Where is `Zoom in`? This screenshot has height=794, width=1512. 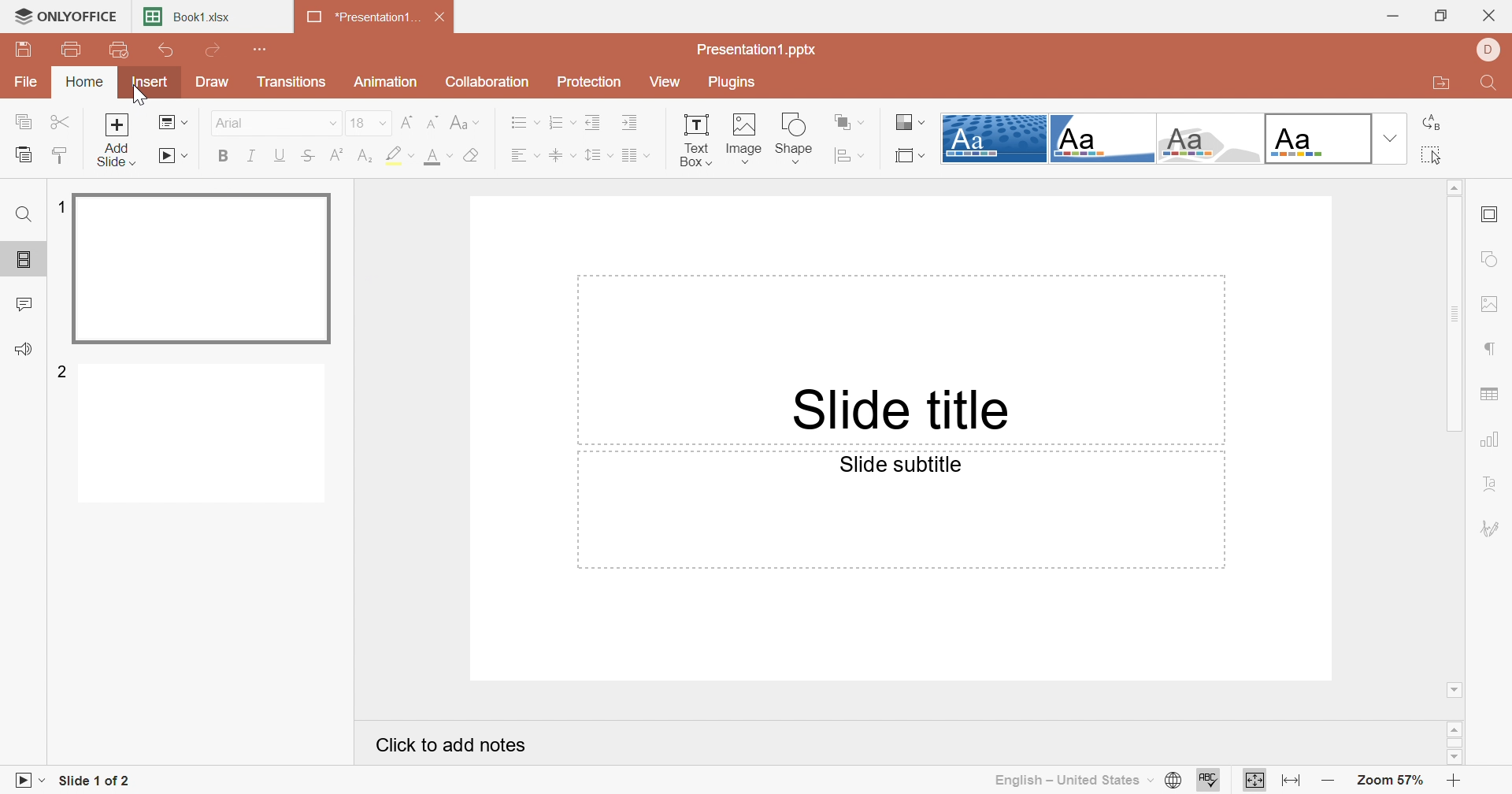 Zoom in is located at coordinates (1459, 781).